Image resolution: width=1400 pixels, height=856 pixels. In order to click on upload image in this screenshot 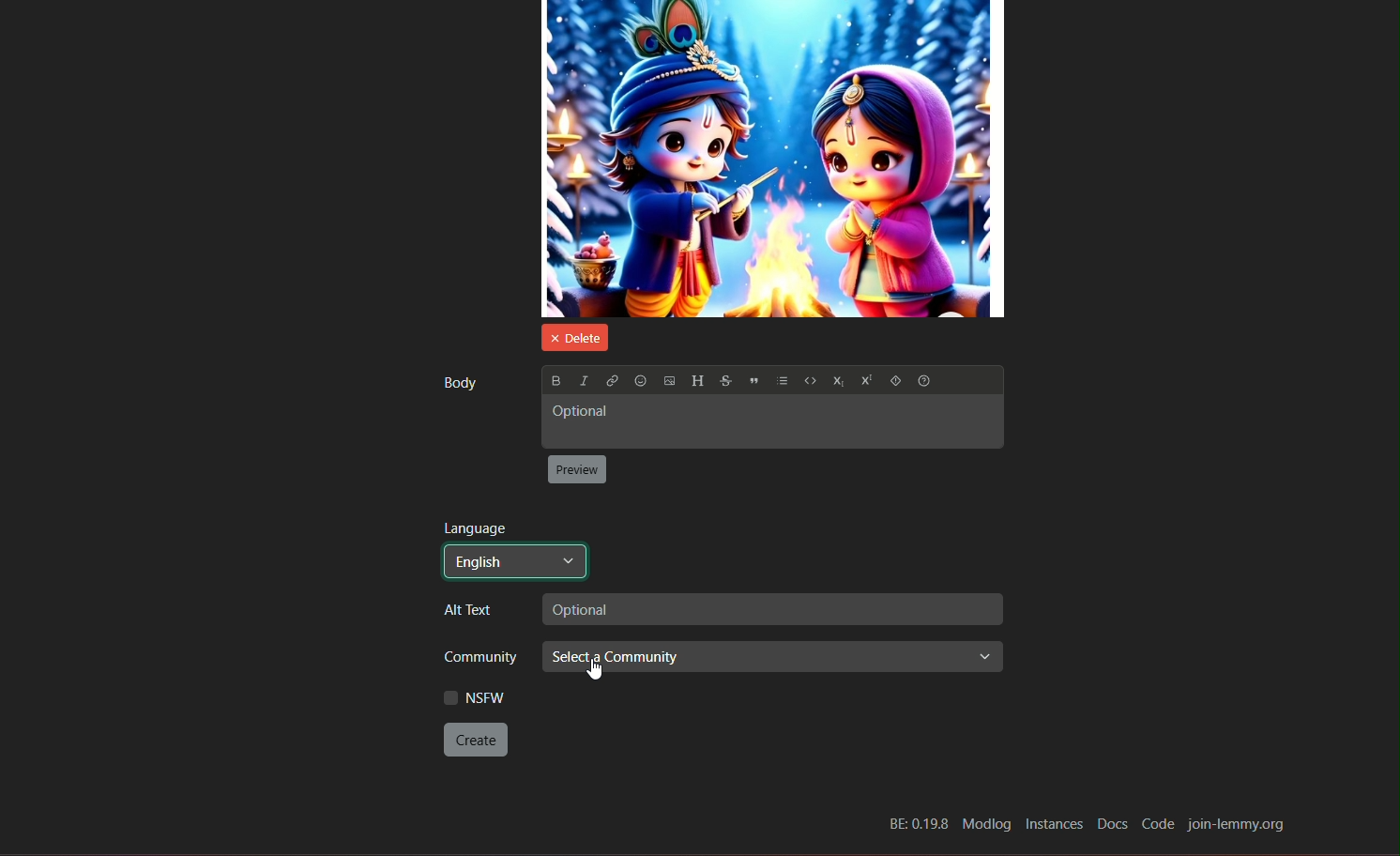, I will do `click(669, 382)`.